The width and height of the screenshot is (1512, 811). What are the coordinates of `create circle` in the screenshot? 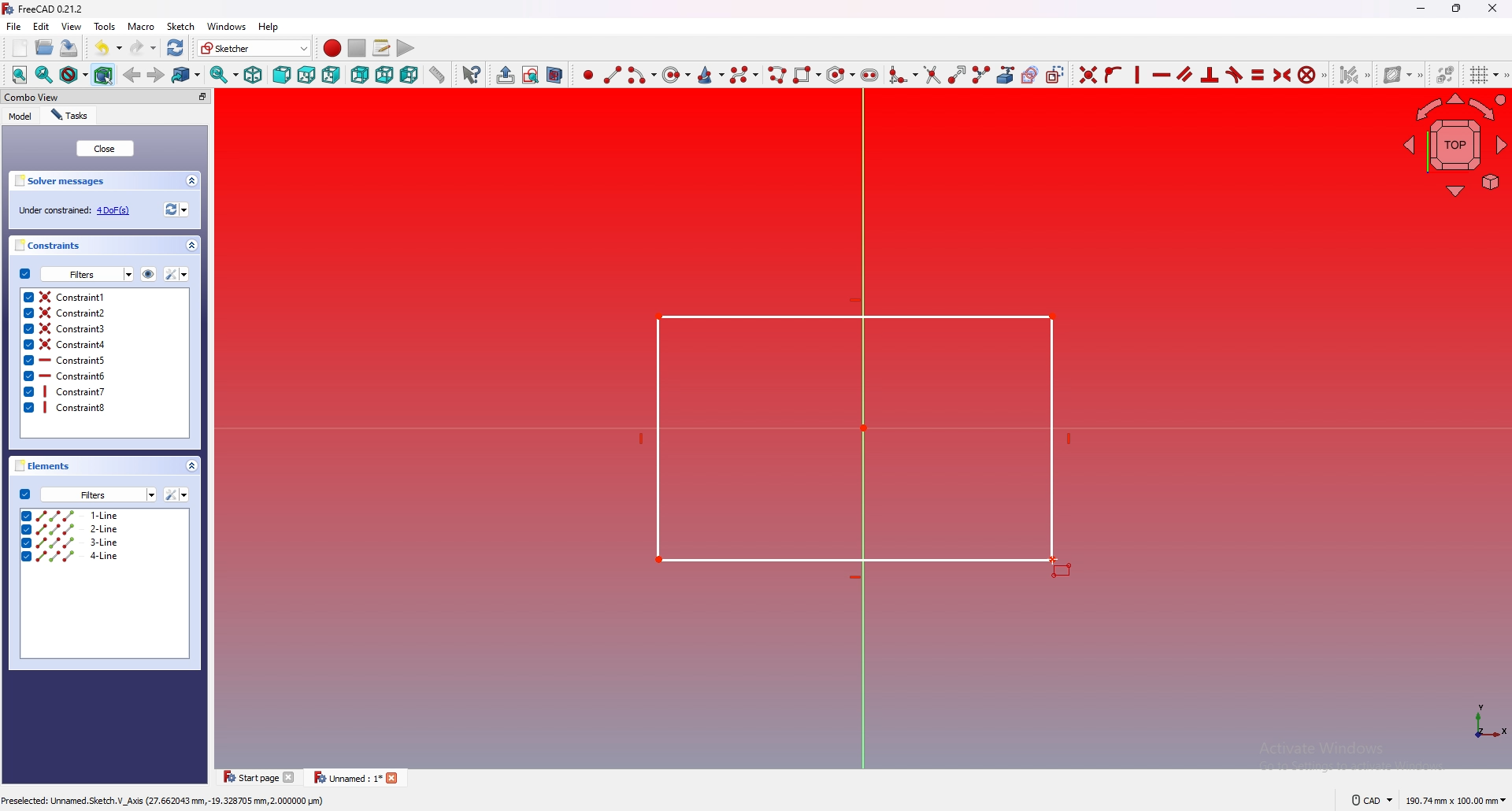 It's located at (676, 75).